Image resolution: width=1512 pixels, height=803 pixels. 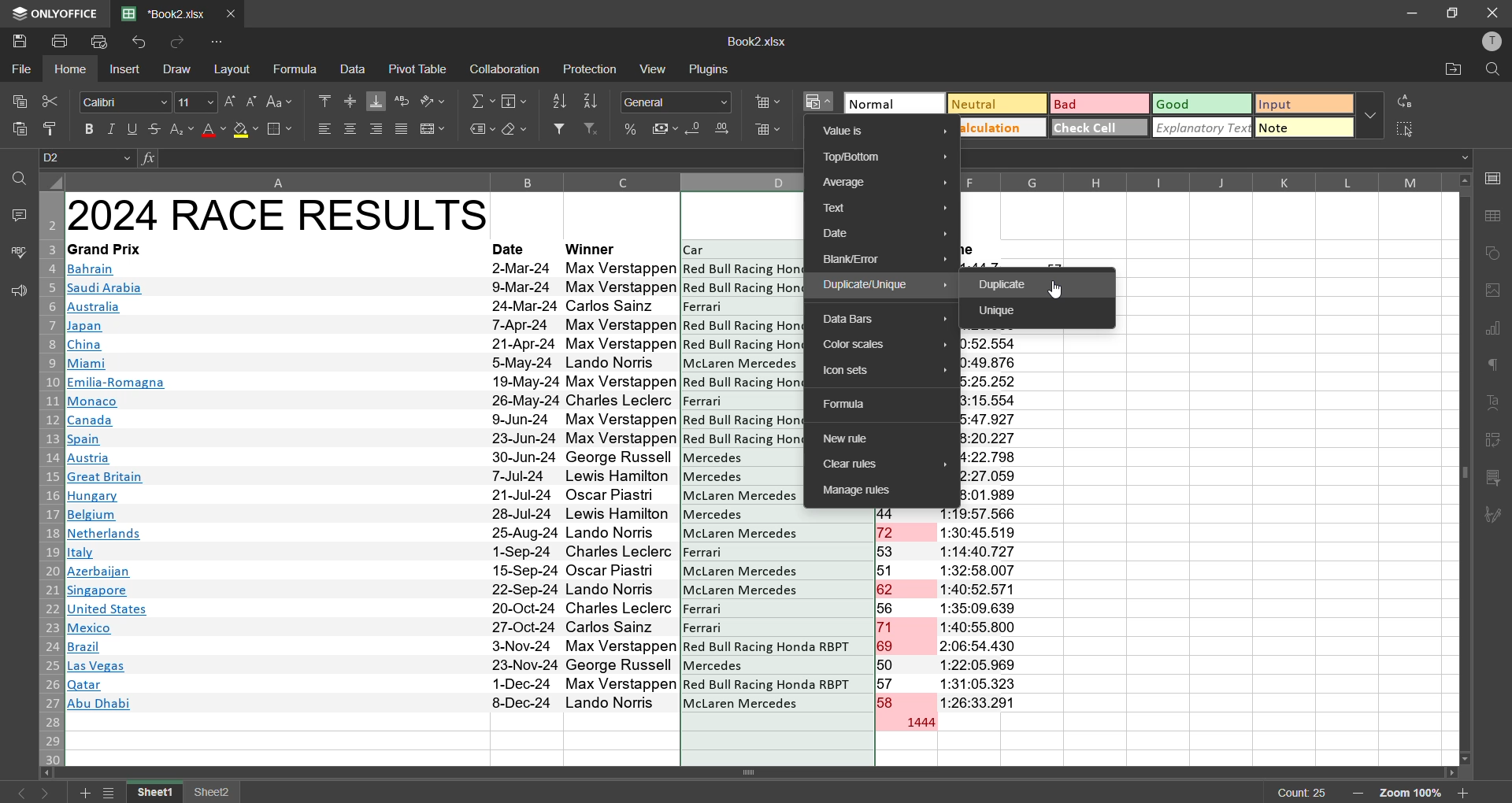 I want to click on undo, so click(x=143, y=43).